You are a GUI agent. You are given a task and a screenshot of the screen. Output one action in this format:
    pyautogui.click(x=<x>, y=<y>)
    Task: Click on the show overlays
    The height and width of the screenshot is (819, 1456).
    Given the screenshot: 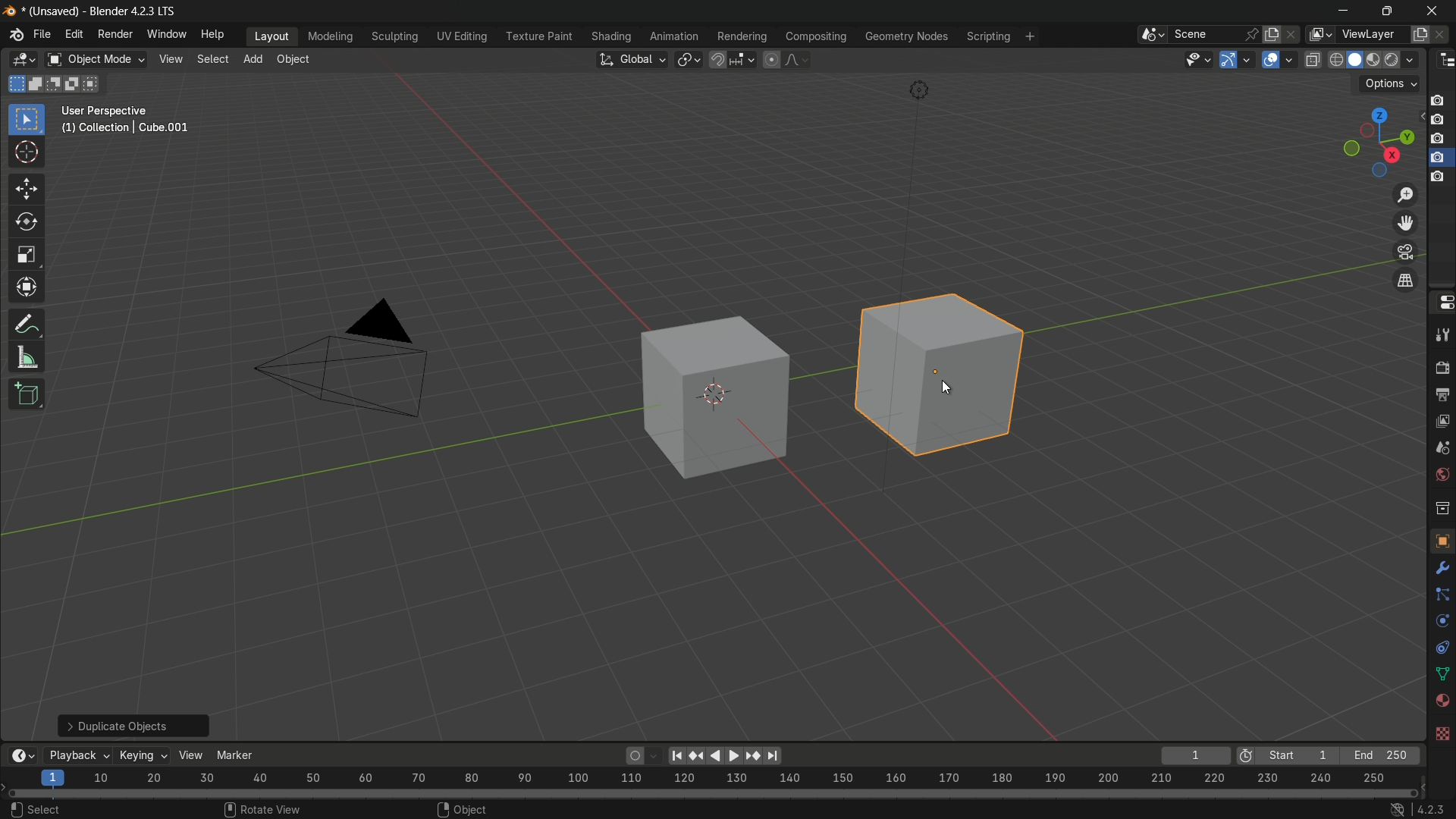 What is the action you would take?
    pyautogui.click(x=1270, y=59)
    